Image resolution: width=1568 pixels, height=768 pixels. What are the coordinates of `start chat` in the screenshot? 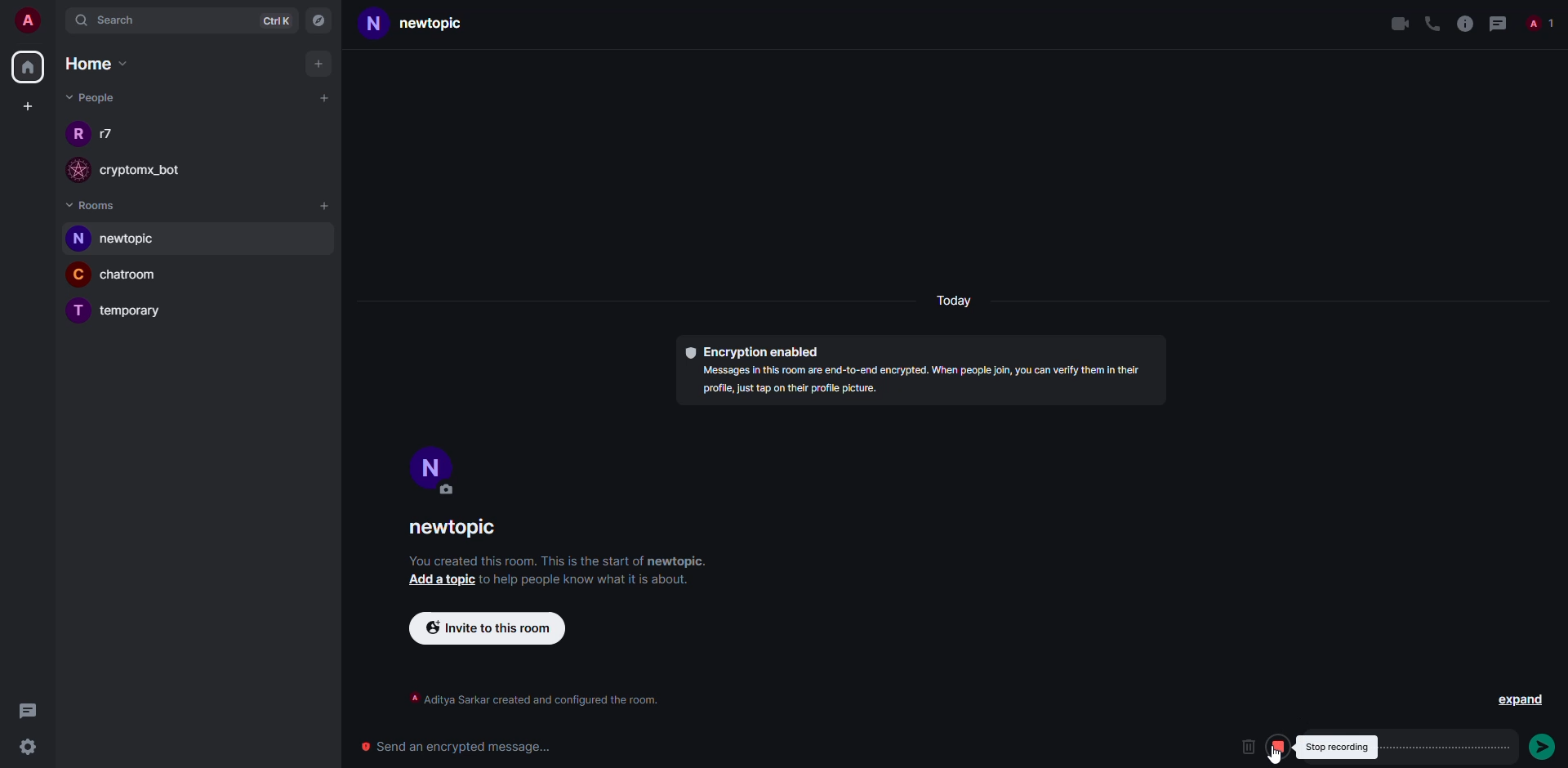 It's located at (323, 98).